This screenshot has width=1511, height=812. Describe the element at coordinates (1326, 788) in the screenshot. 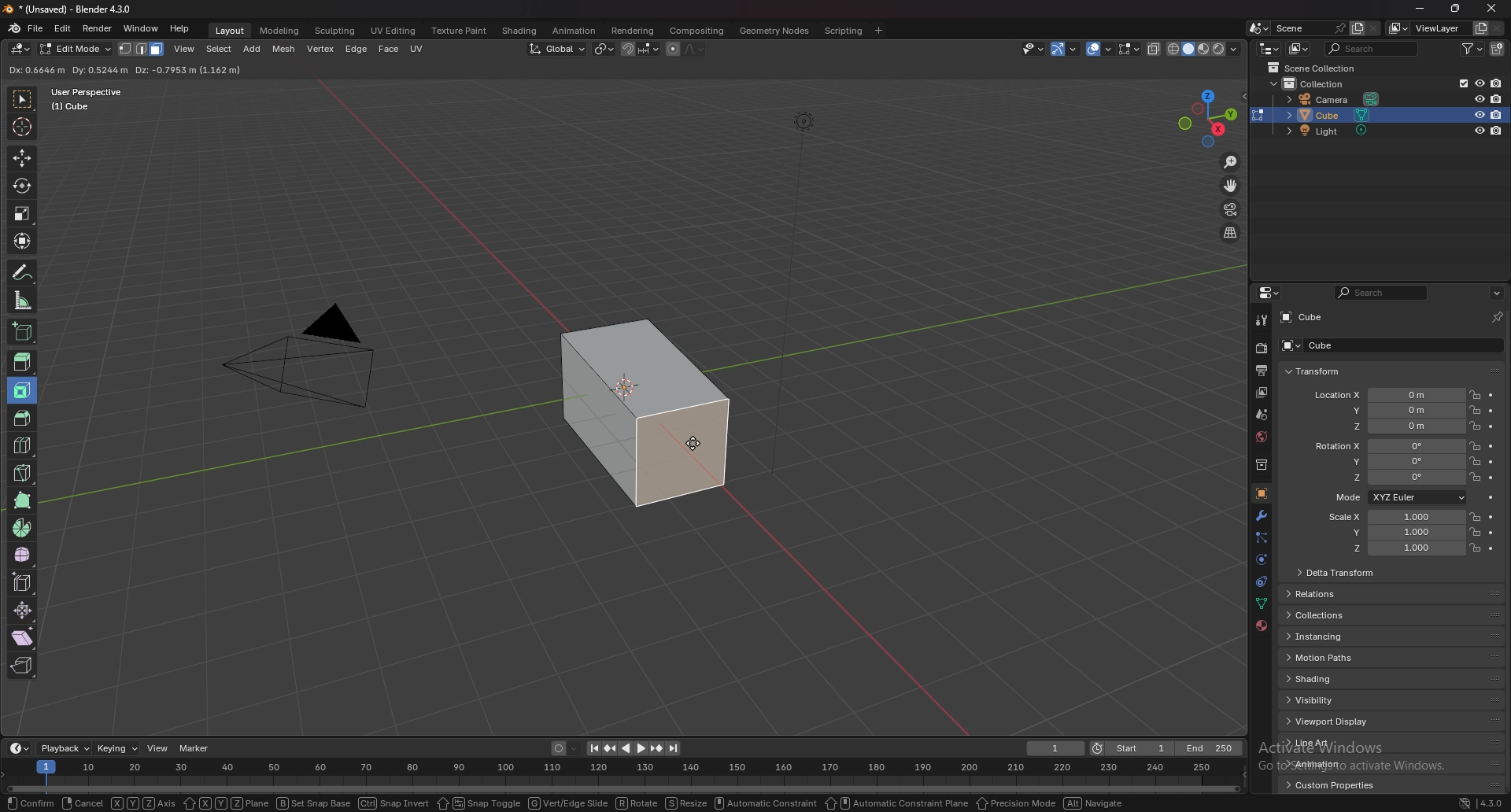

I see `custom` at that location.